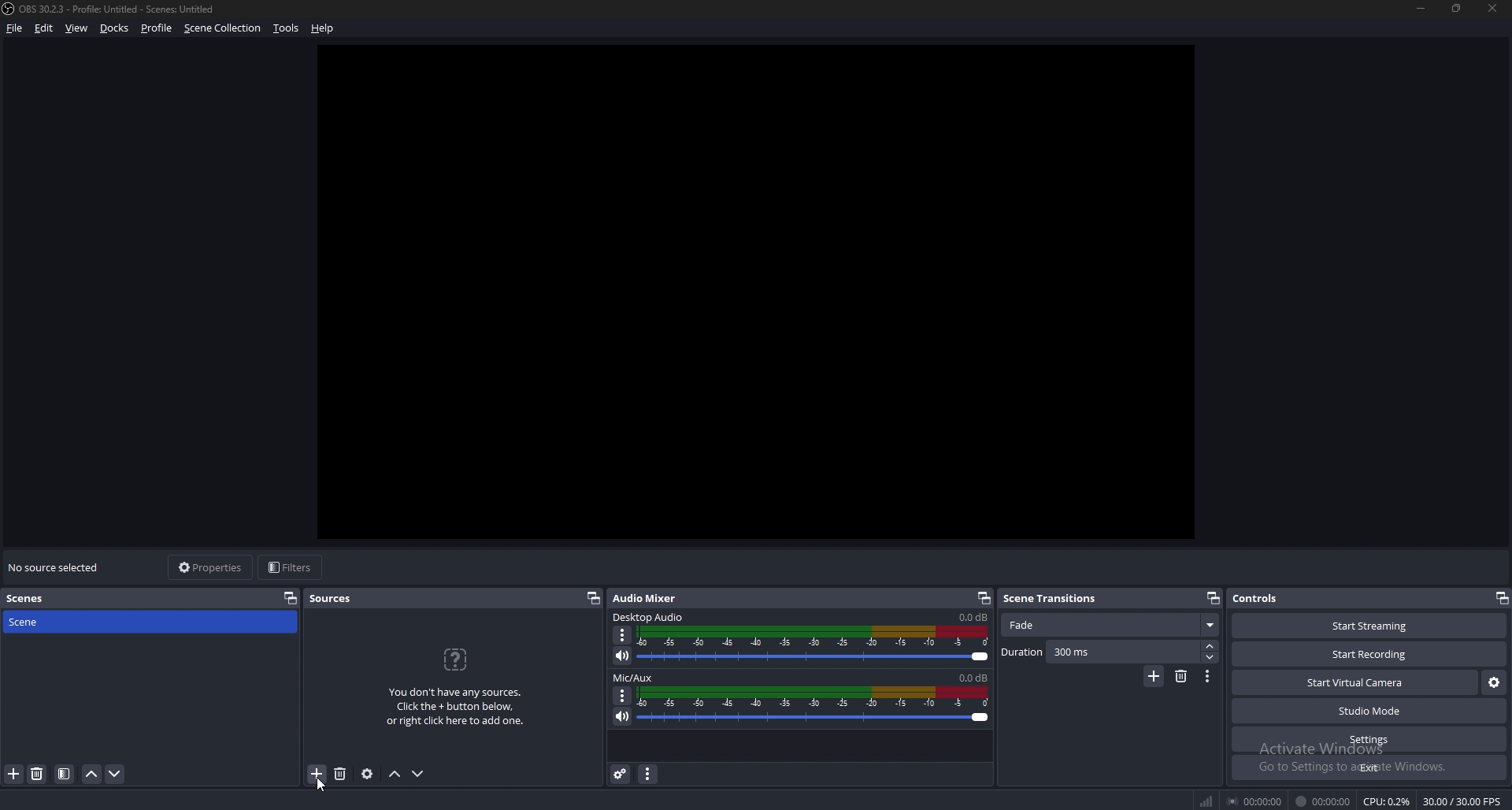 This screenshot has height=810, width=1512. Describe the element at coordinates (210, 567) in the screenshot. I see `Properties` at that location.